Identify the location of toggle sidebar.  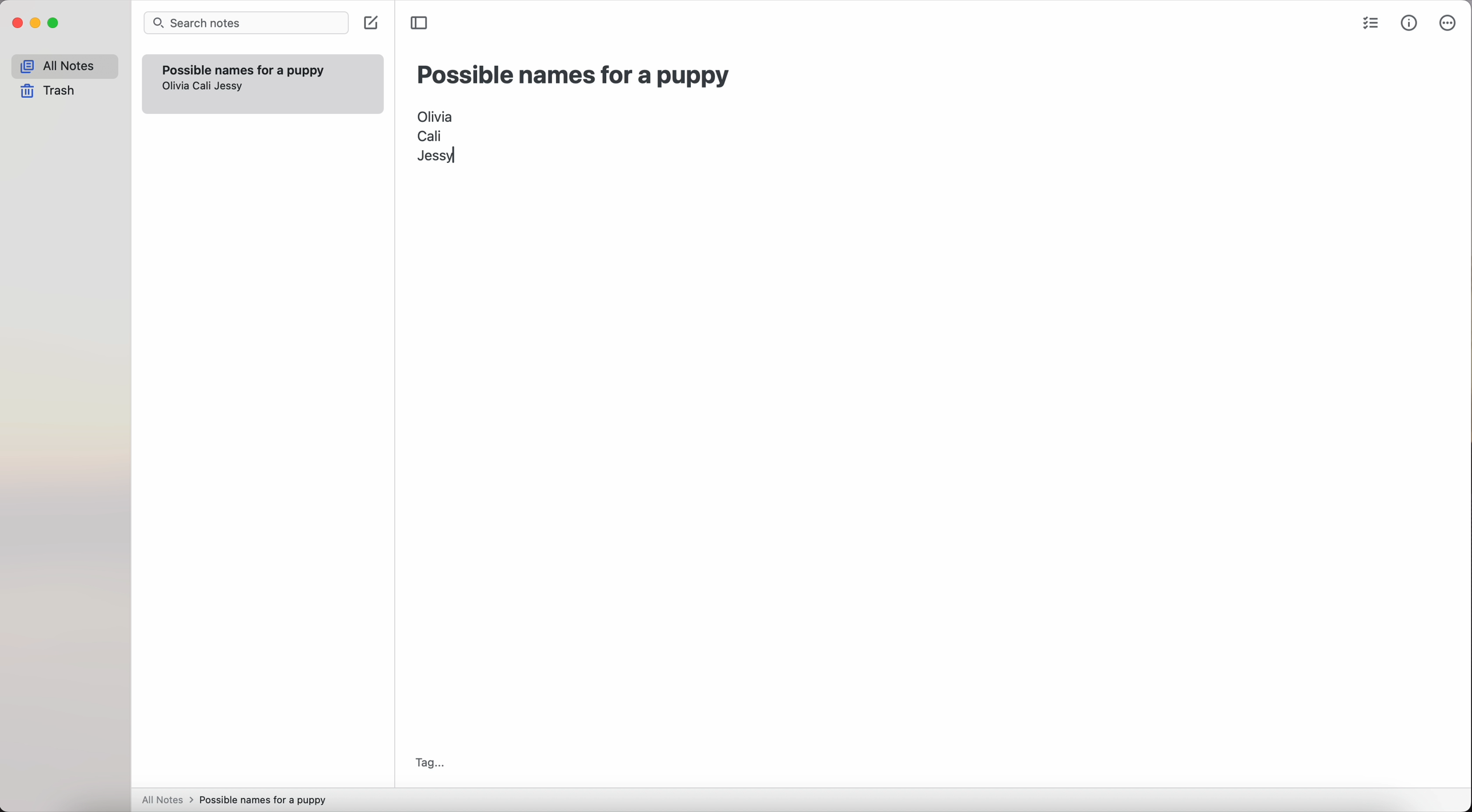
(421, 22).